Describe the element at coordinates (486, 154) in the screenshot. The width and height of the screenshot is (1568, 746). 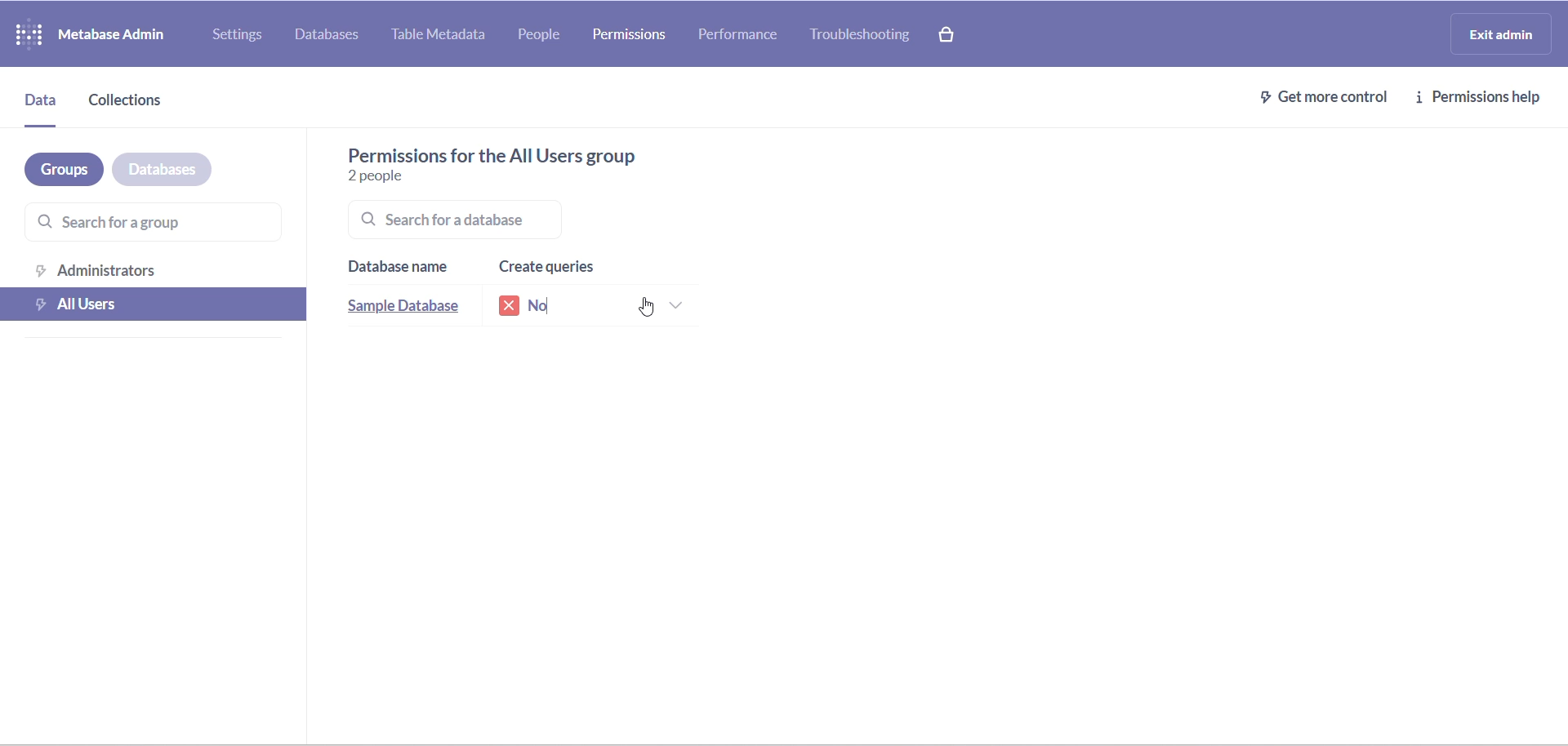
I see `text` at that location.